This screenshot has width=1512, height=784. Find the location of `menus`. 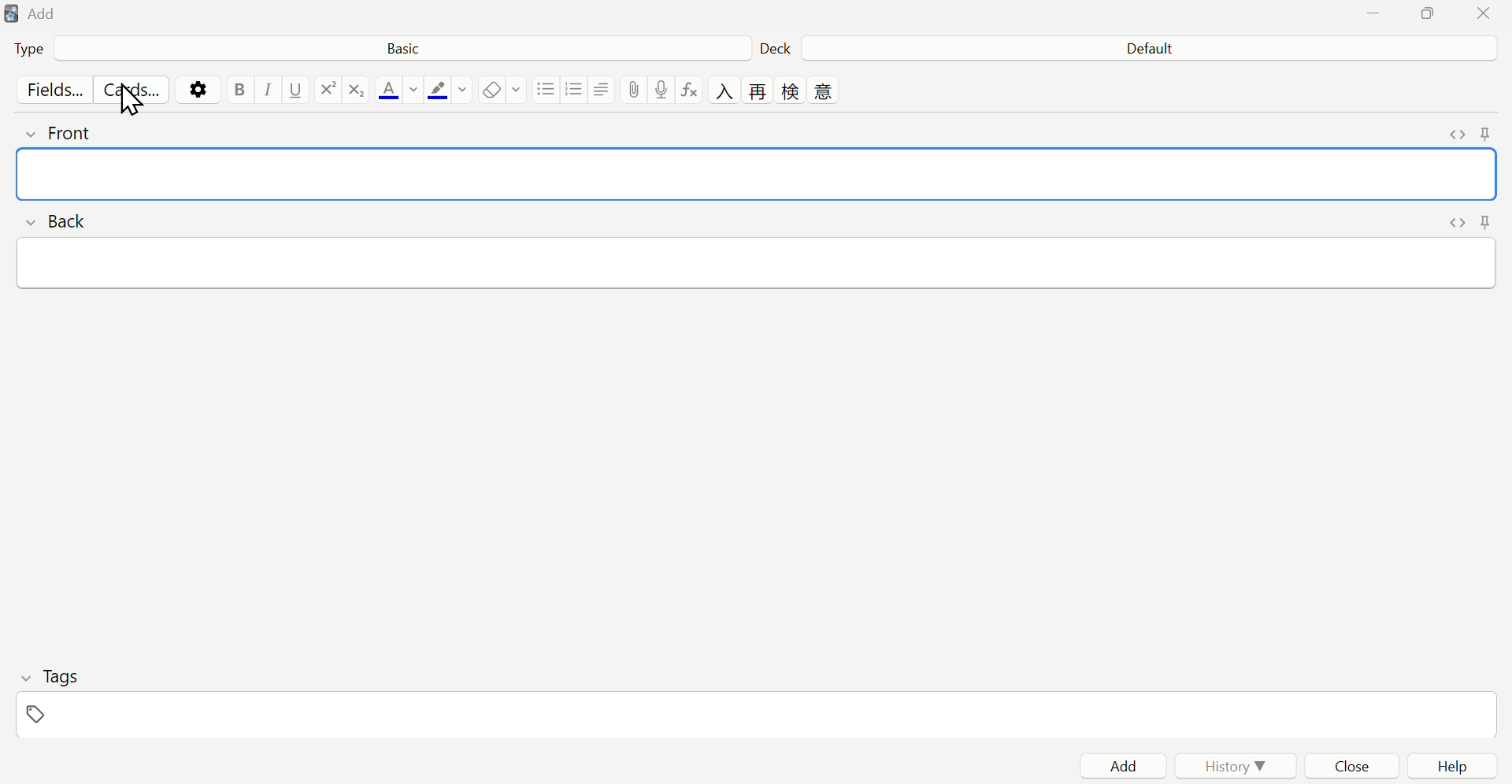

menus is located at coordinates (578, 91).